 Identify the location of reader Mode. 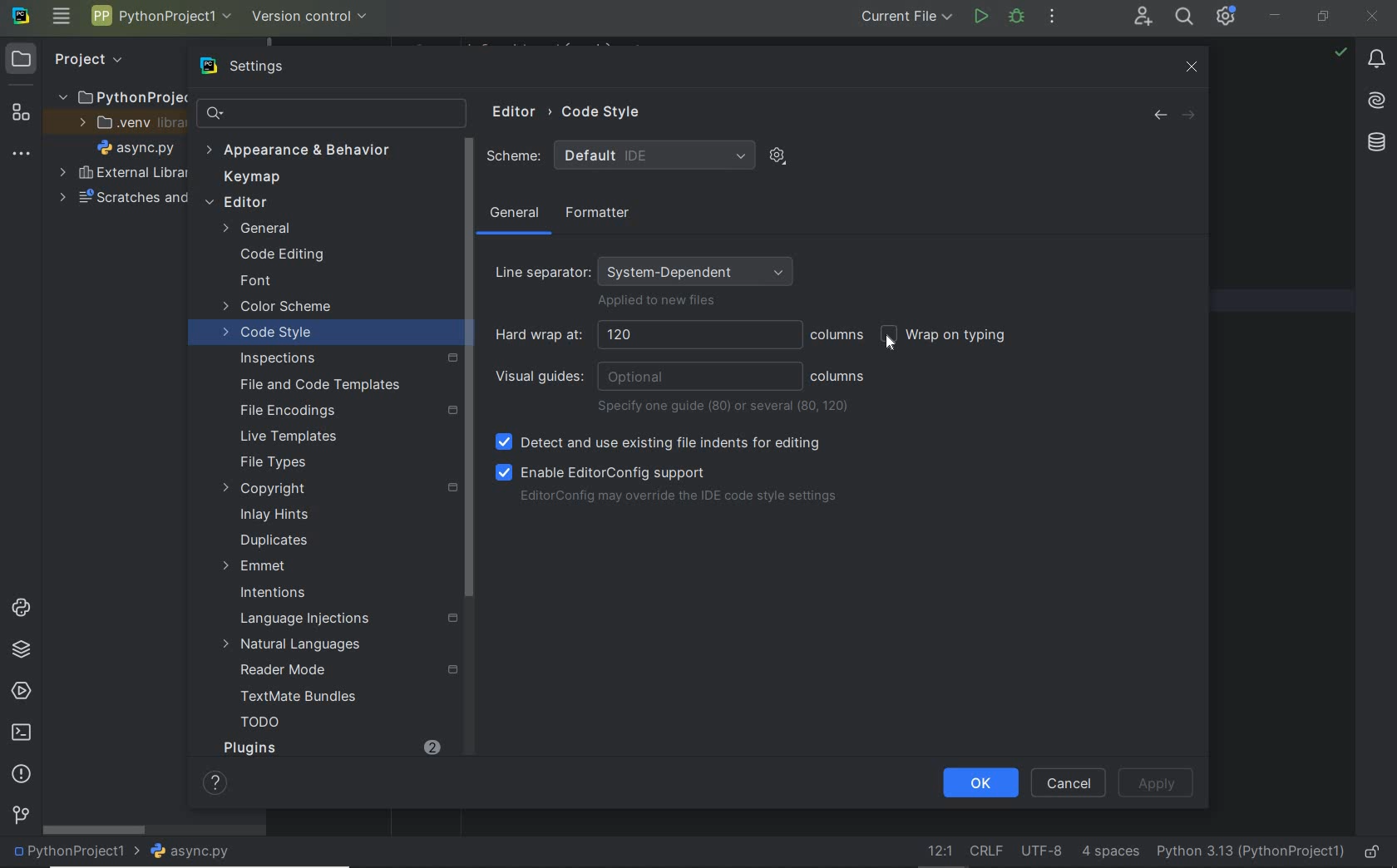
(338, 672).